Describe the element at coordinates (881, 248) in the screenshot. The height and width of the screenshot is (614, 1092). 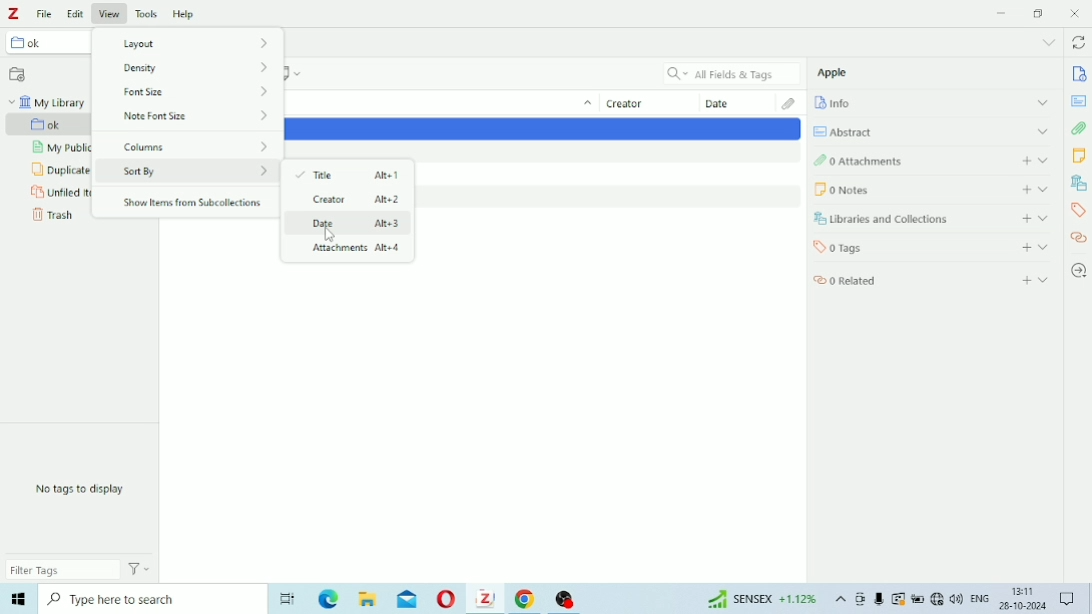
I see `Tags` at that location.